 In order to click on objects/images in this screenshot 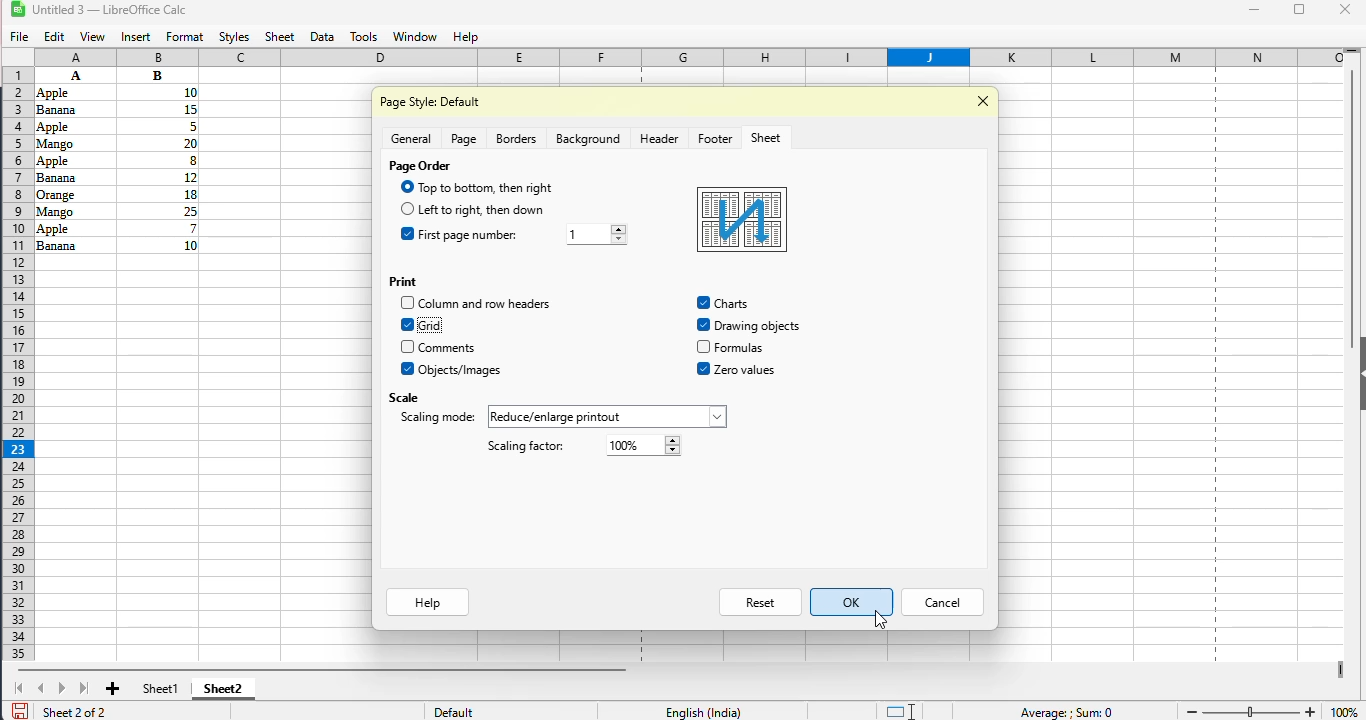, I will do `click(462, 370)`.